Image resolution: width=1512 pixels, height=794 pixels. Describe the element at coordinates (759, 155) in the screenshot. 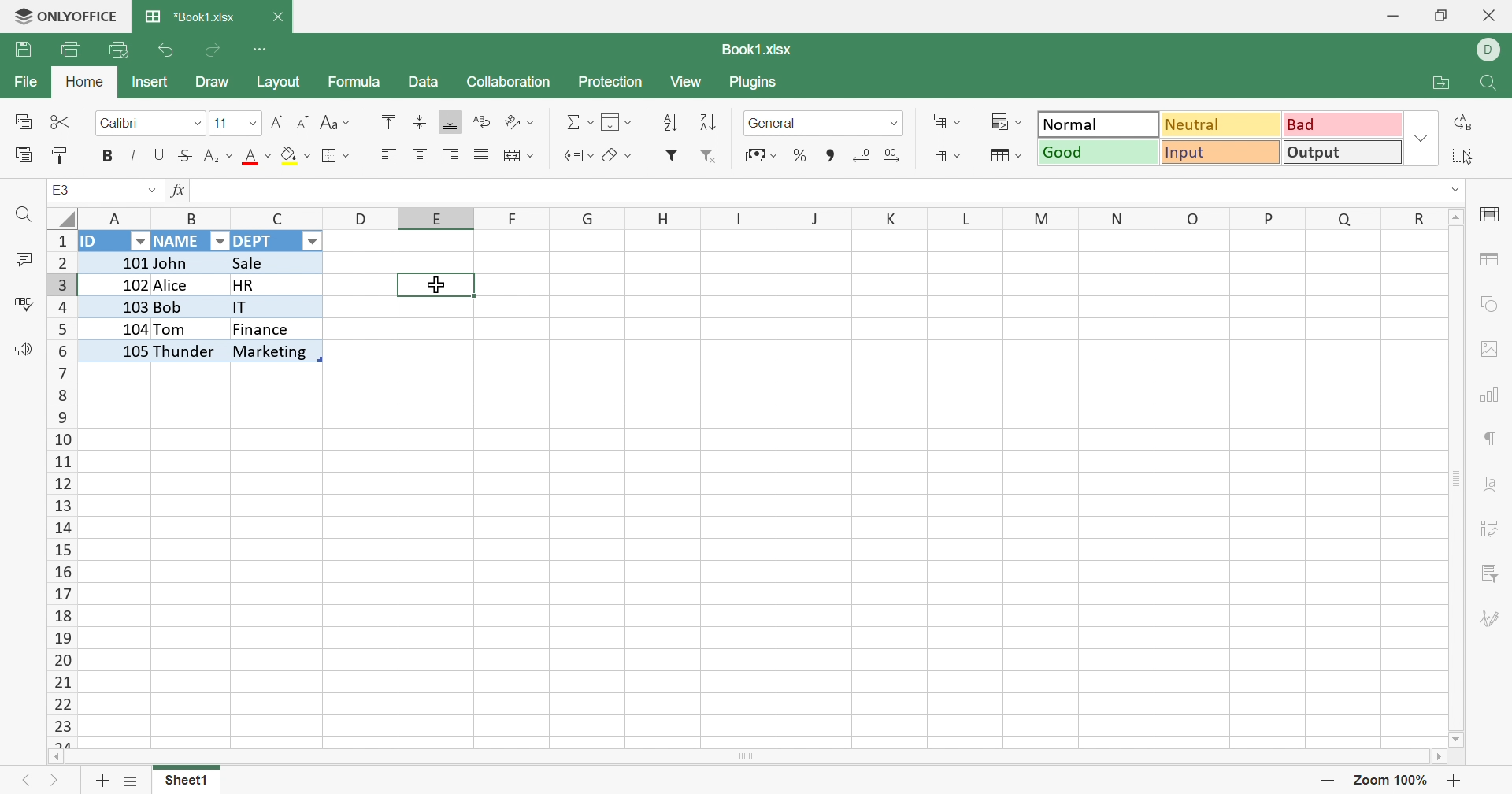

I see `Accounting` at that location.